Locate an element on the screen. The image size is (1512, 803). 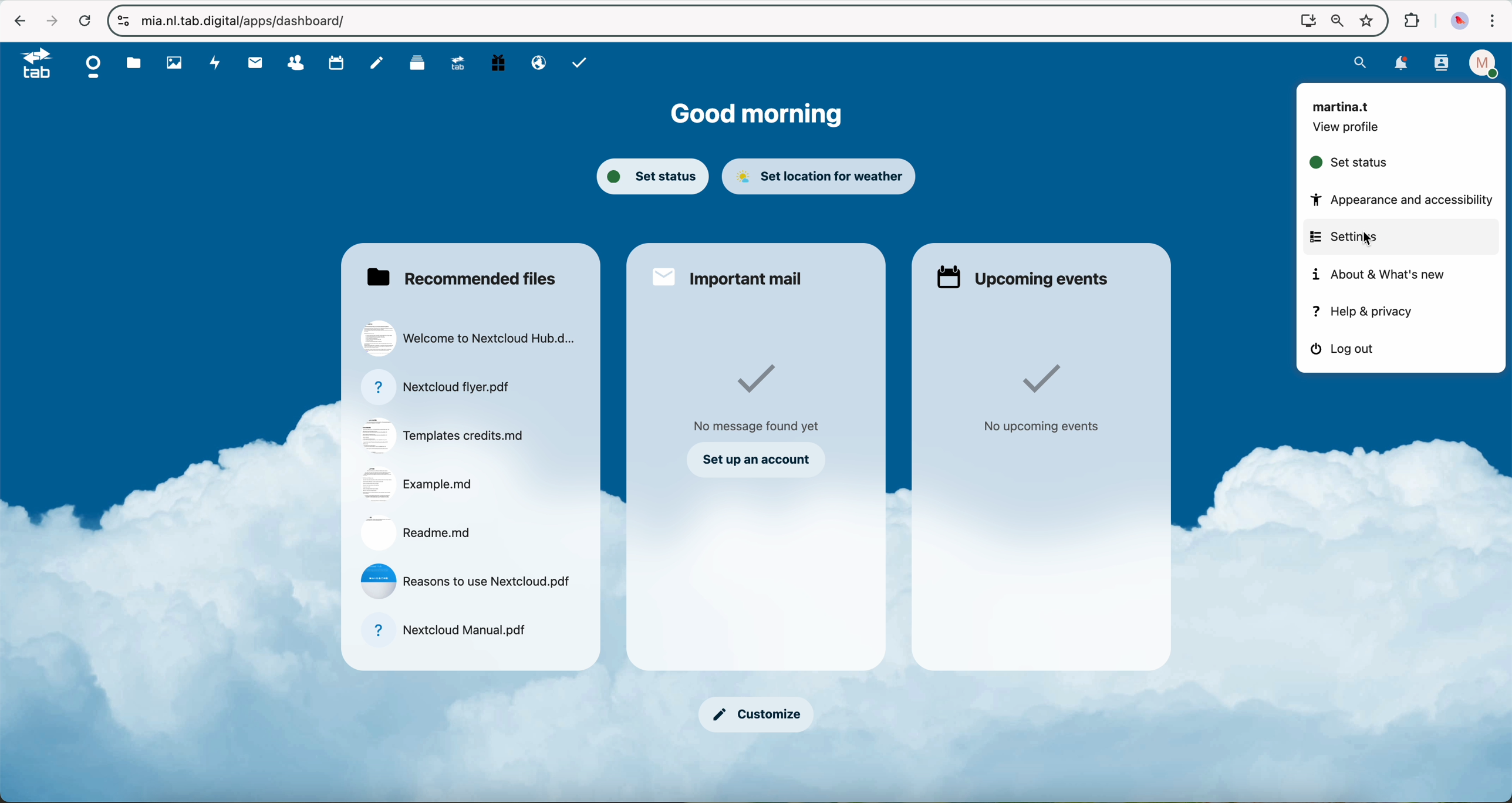
notifications is located at coordinates (1402, 63).